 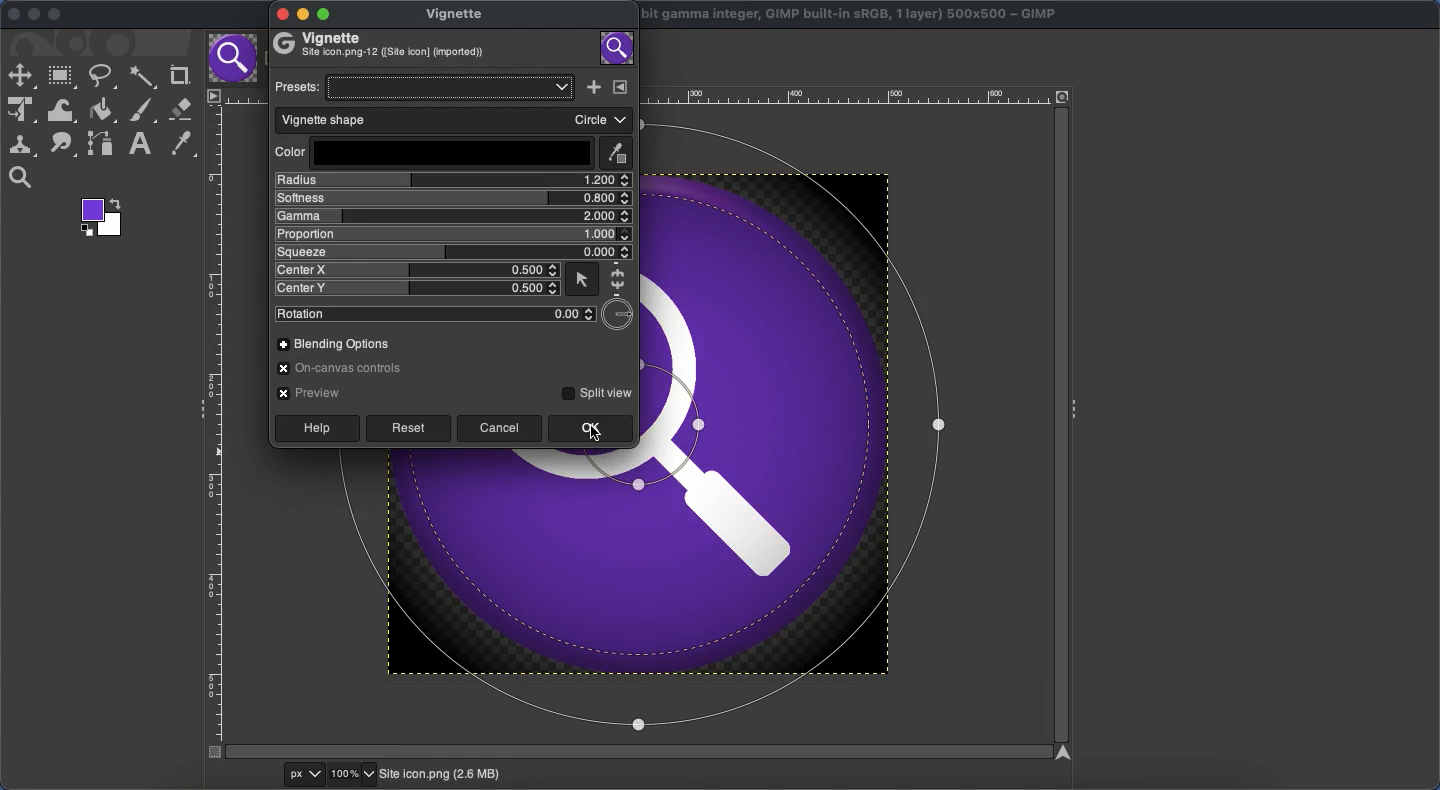 What do you see at coordinates (137, 144) in the screenshot?
I see `Text` at bounding box center [137, 144].